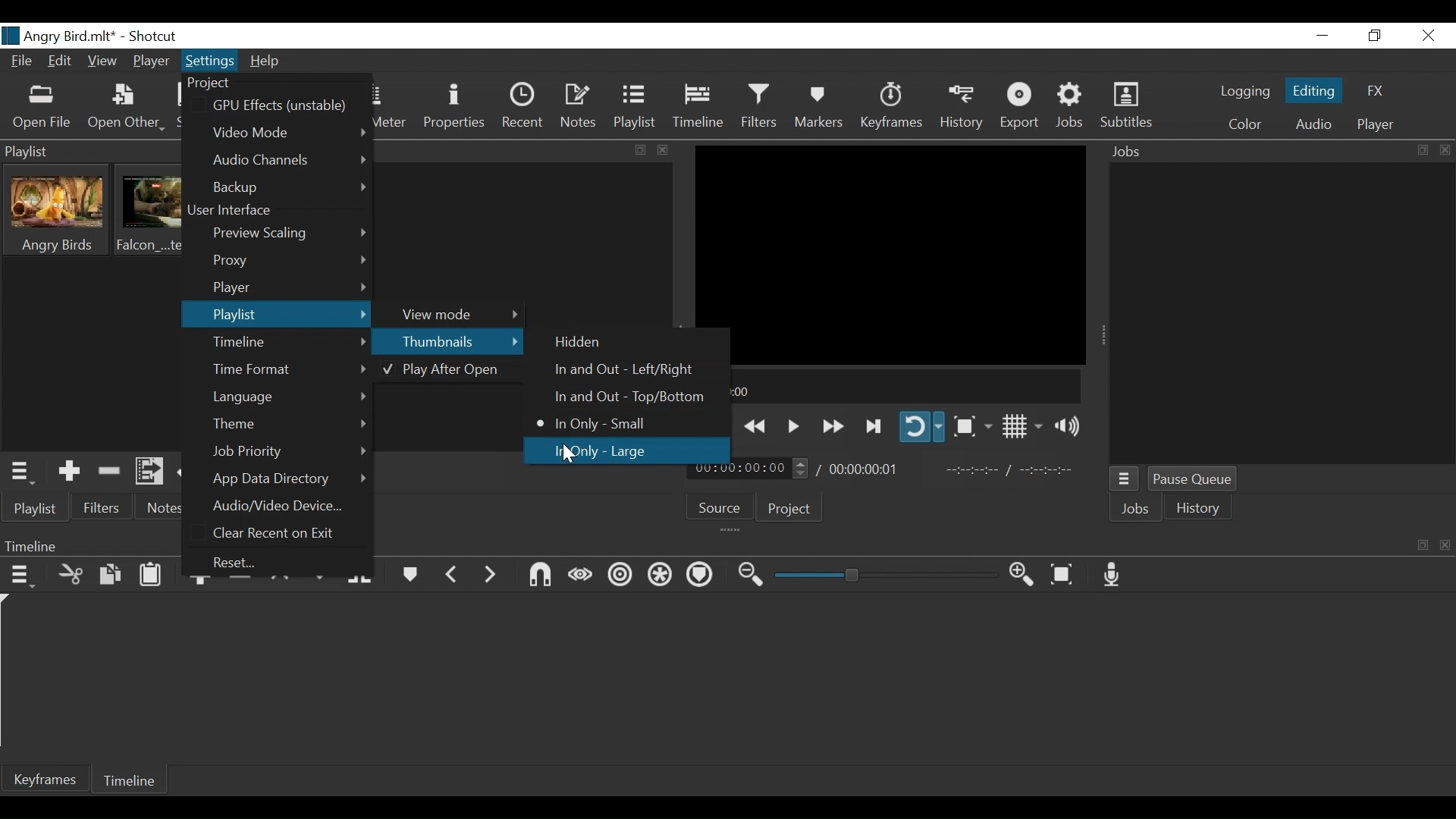  What do you see at coordinates (38, 510) in the screenshot?
I see `Playlist` at bounding box center [38, 510].